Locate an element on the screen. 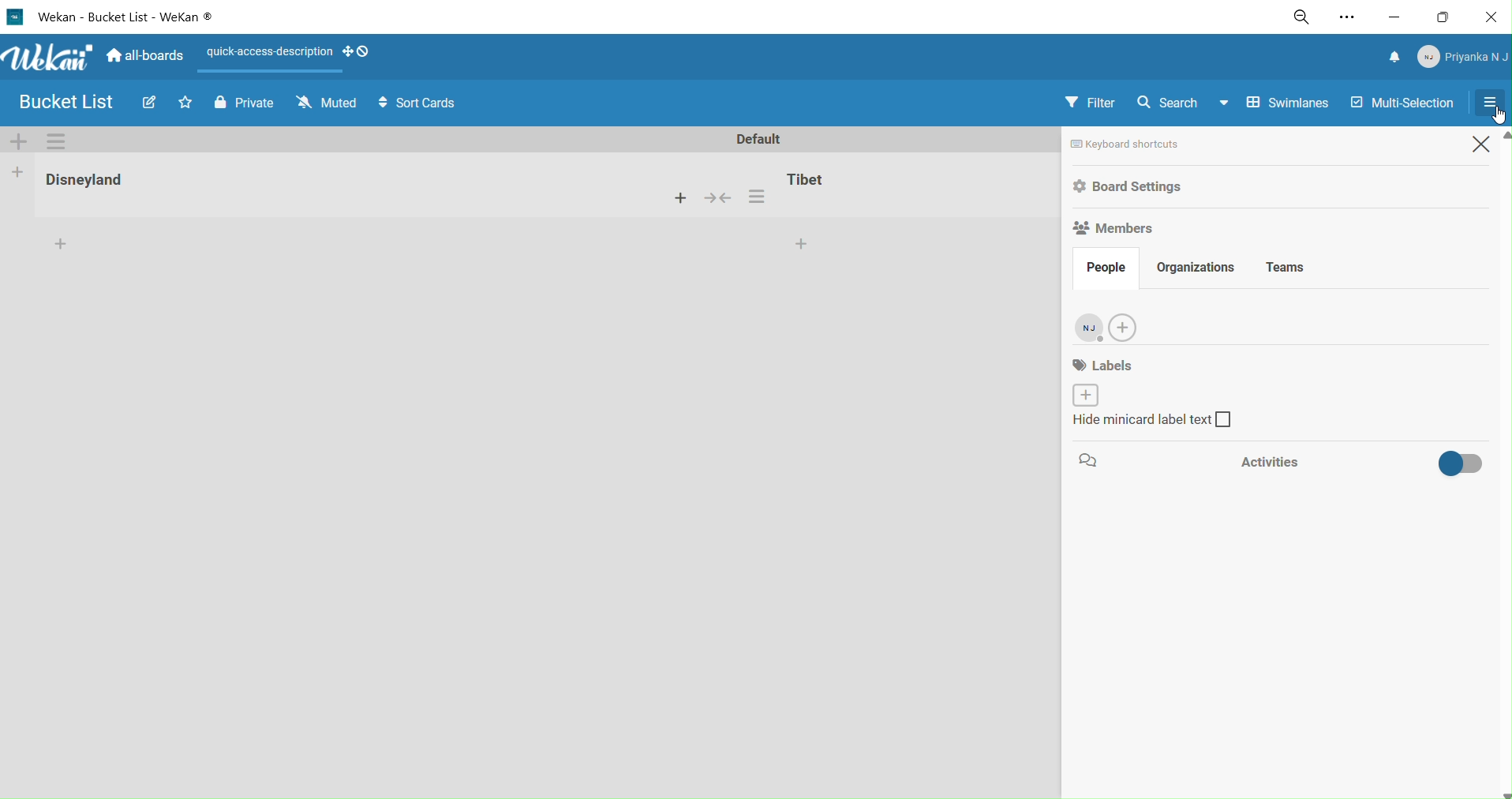  admin is located at coordinates (1084, 318).